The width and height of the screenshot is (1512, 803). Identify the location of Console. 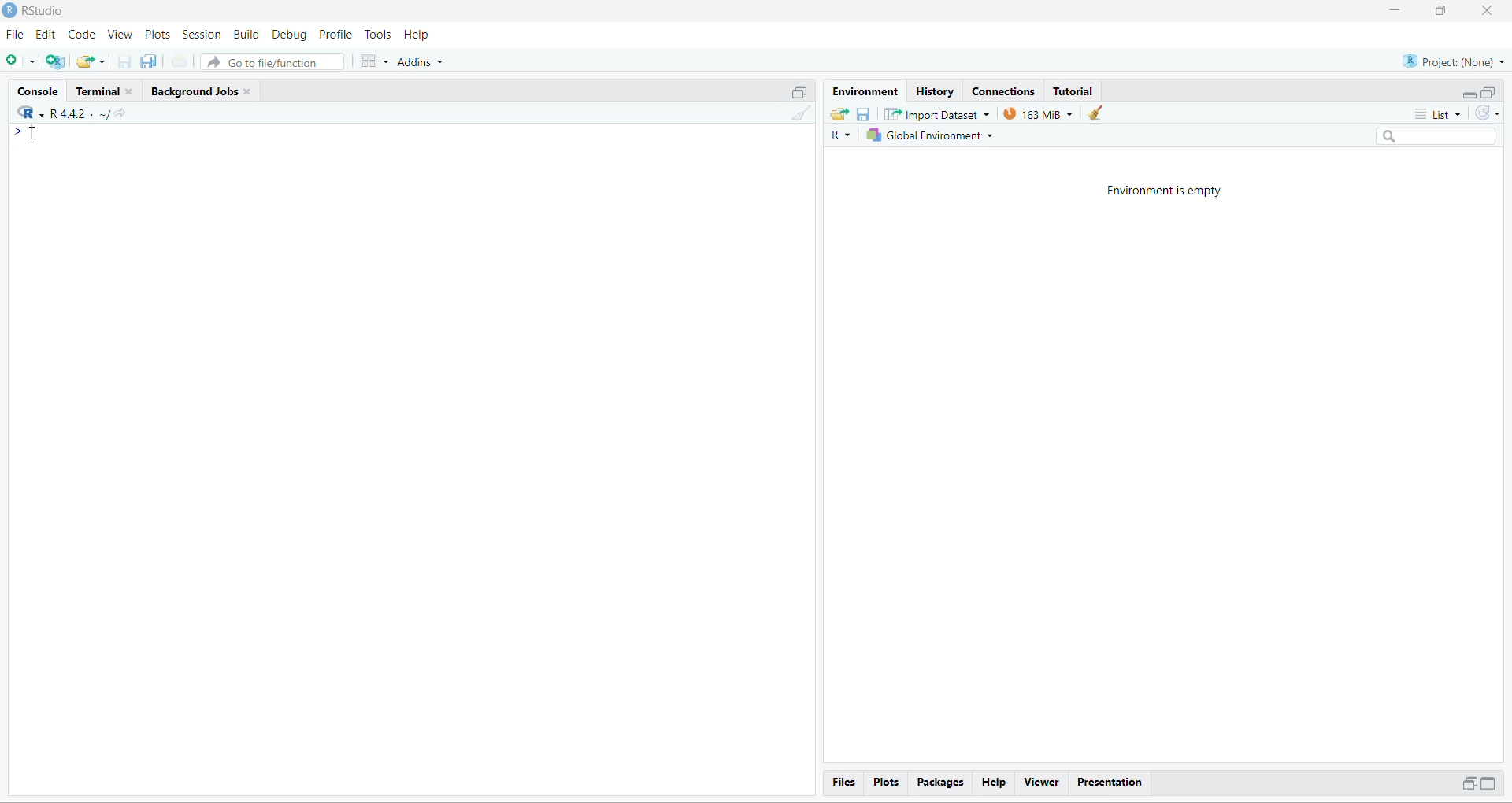
(37, 89).